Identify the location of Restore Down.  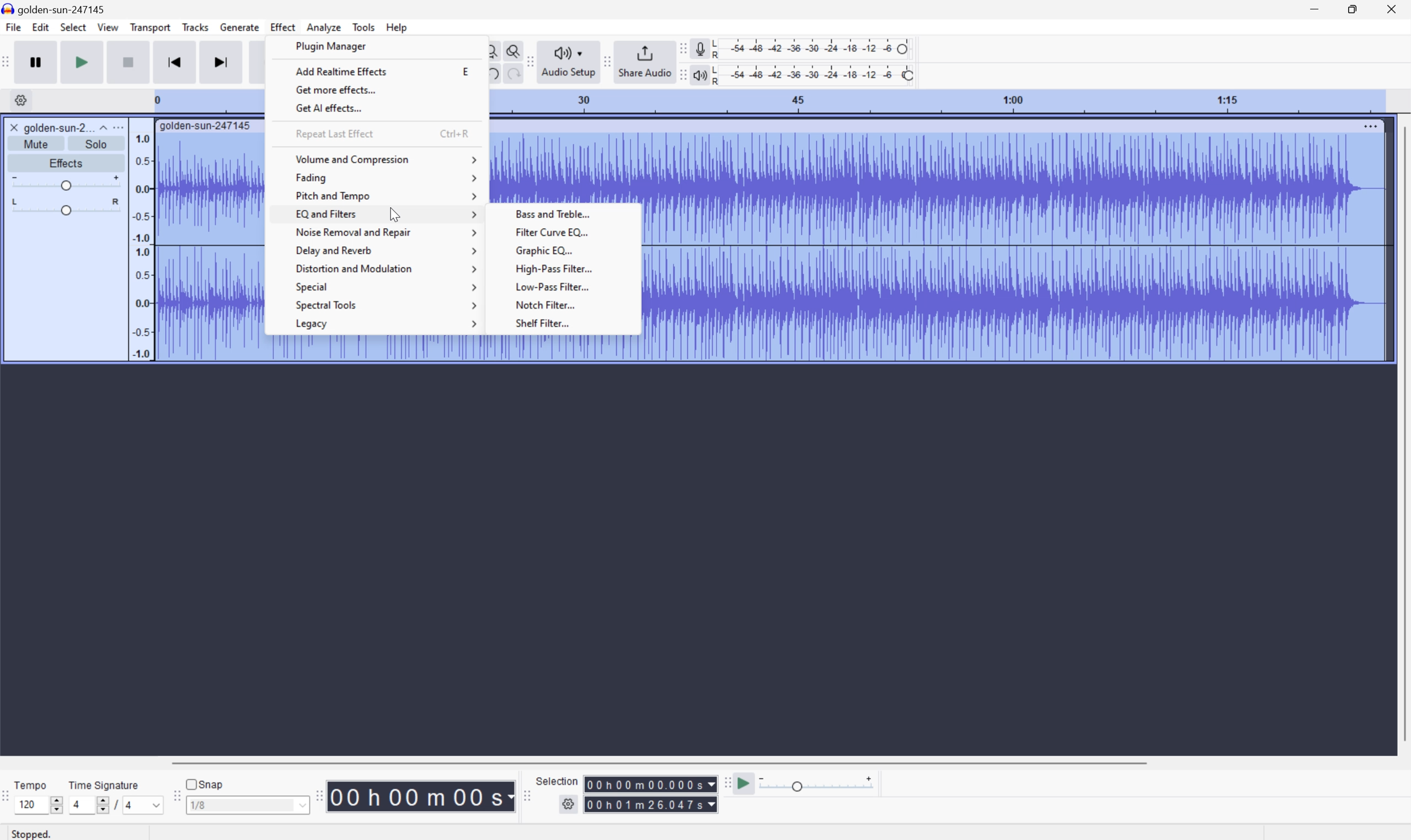
(1352, 10).